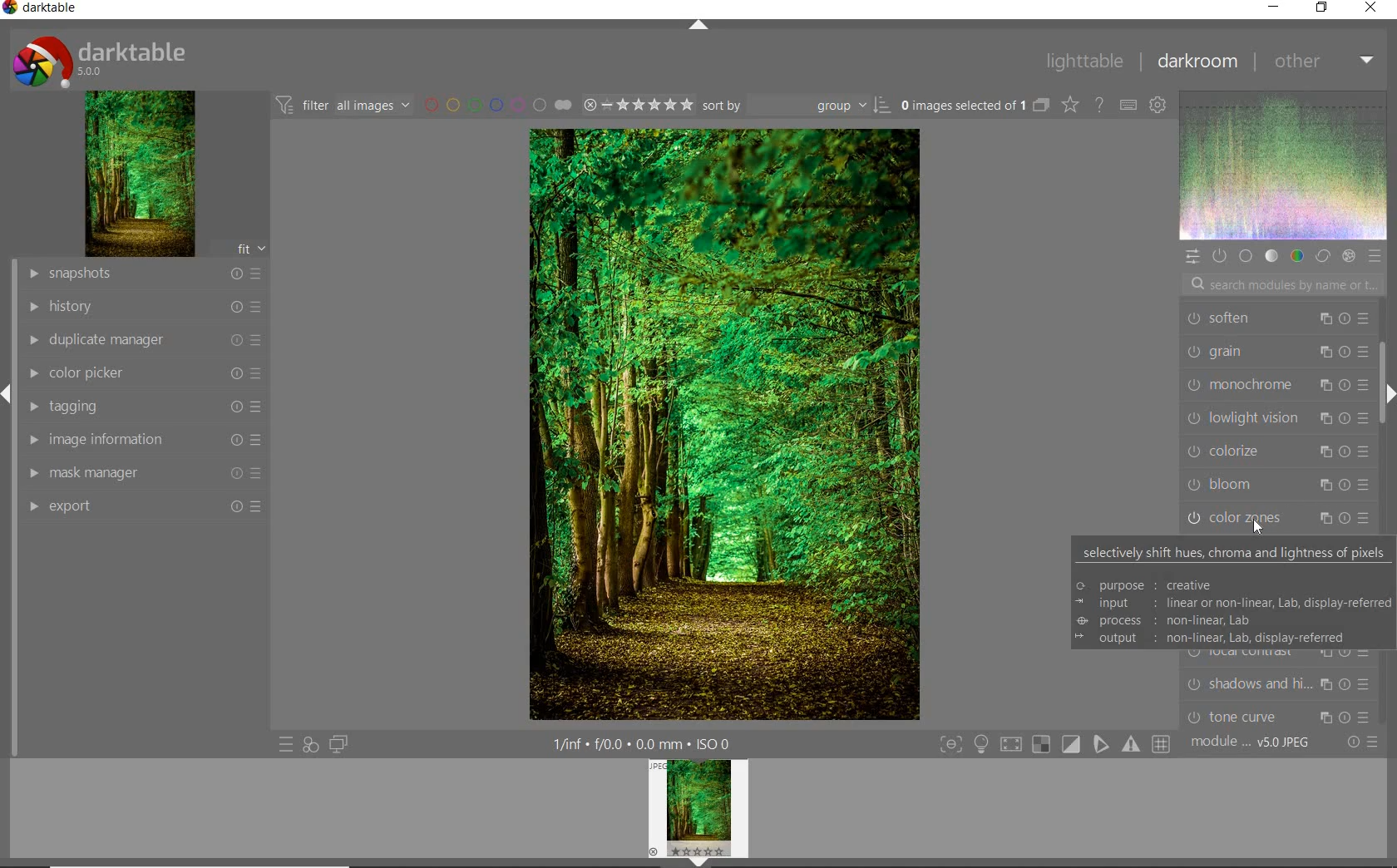  Describe the element at coordinates (1276, 318) in the screenshot. I see `soften` at that location.